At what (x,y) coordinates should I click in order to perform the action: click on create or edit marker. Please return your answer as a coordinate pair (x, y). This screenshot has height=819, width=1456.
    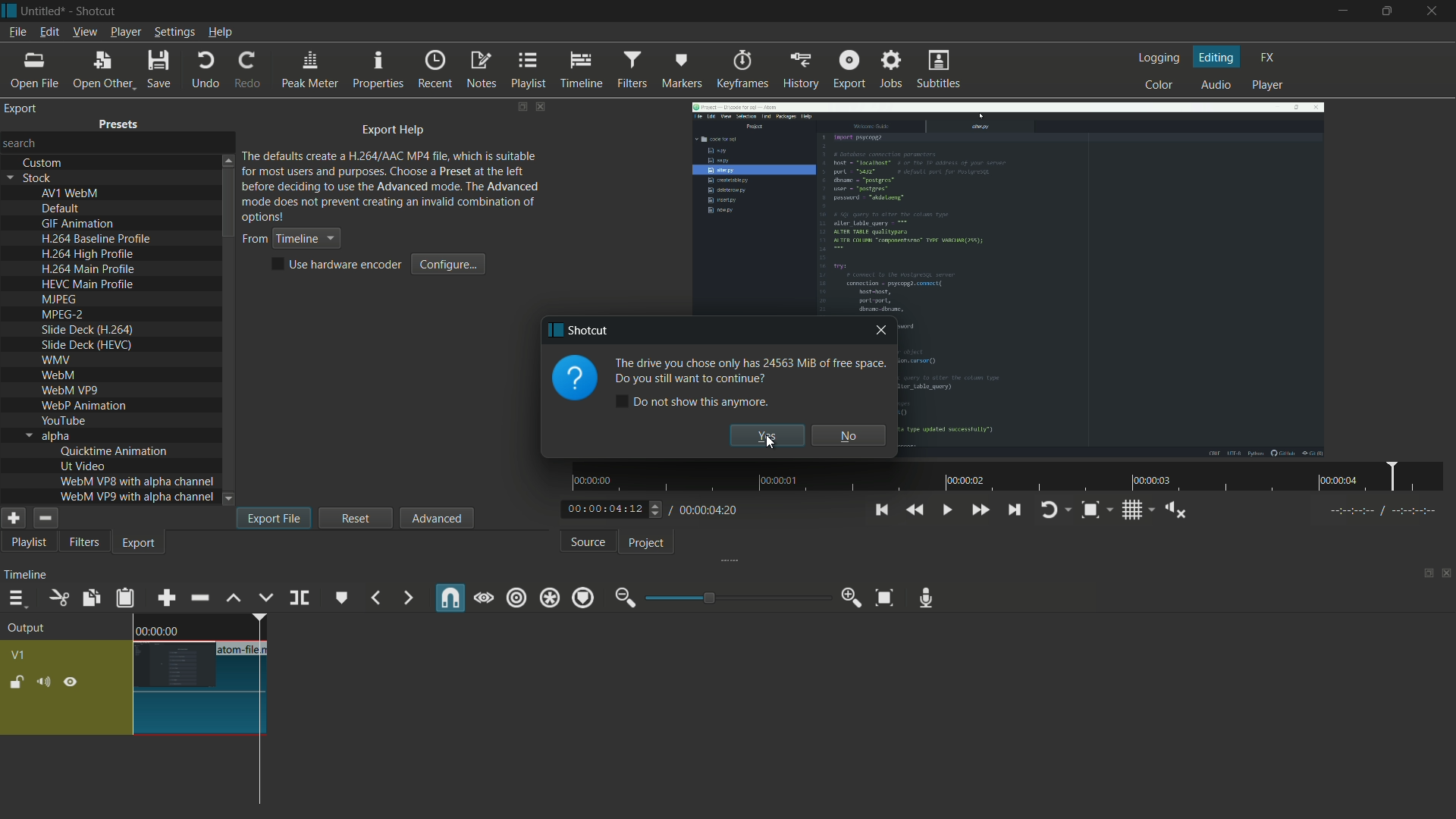
    Looking at the image, I should click on (340, 599).